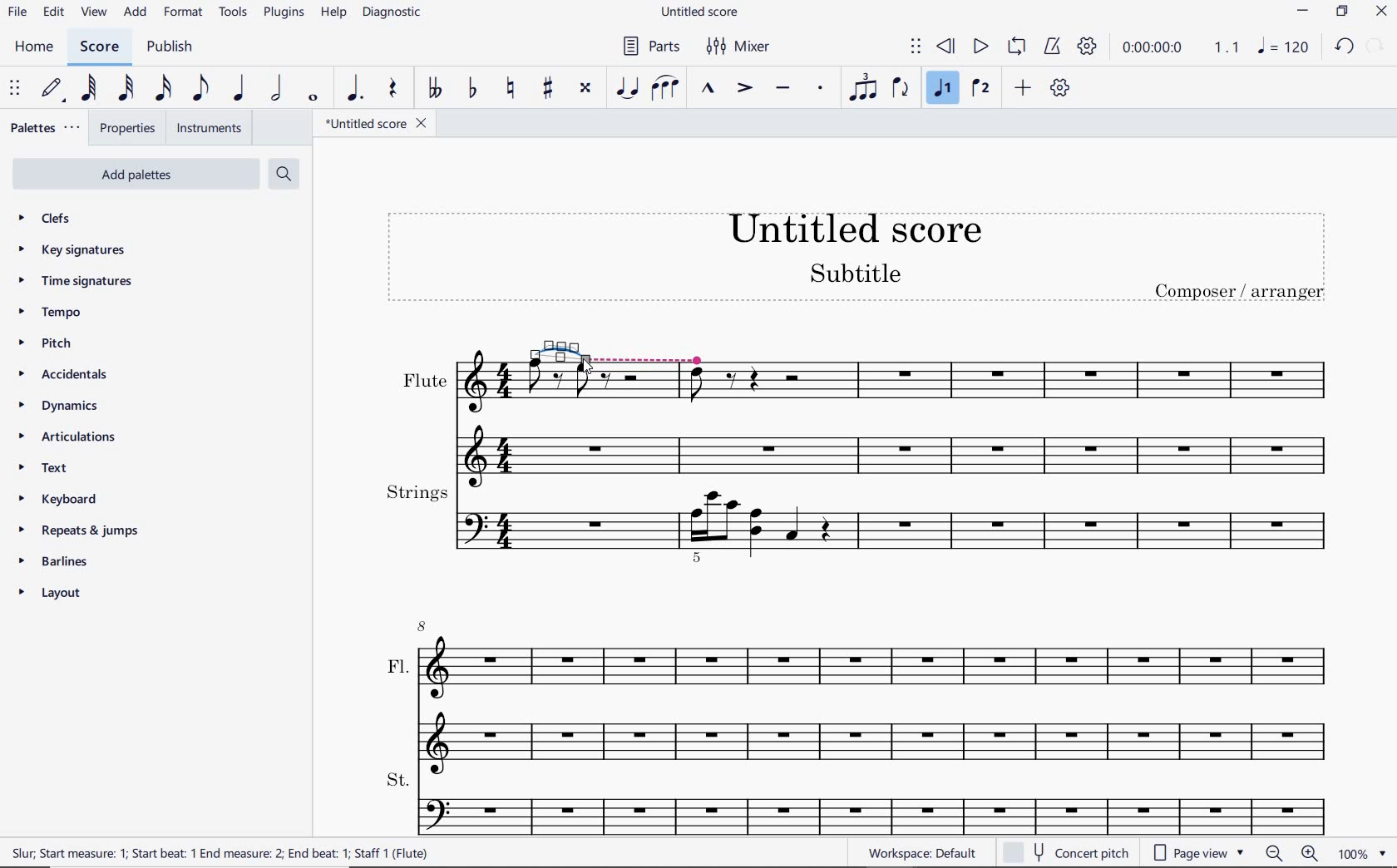 This screenshot has width=1397, height=868. What do you see at coordinates (93, 12) in the screenshot?
I see `view` at bounding box center [93, 12].